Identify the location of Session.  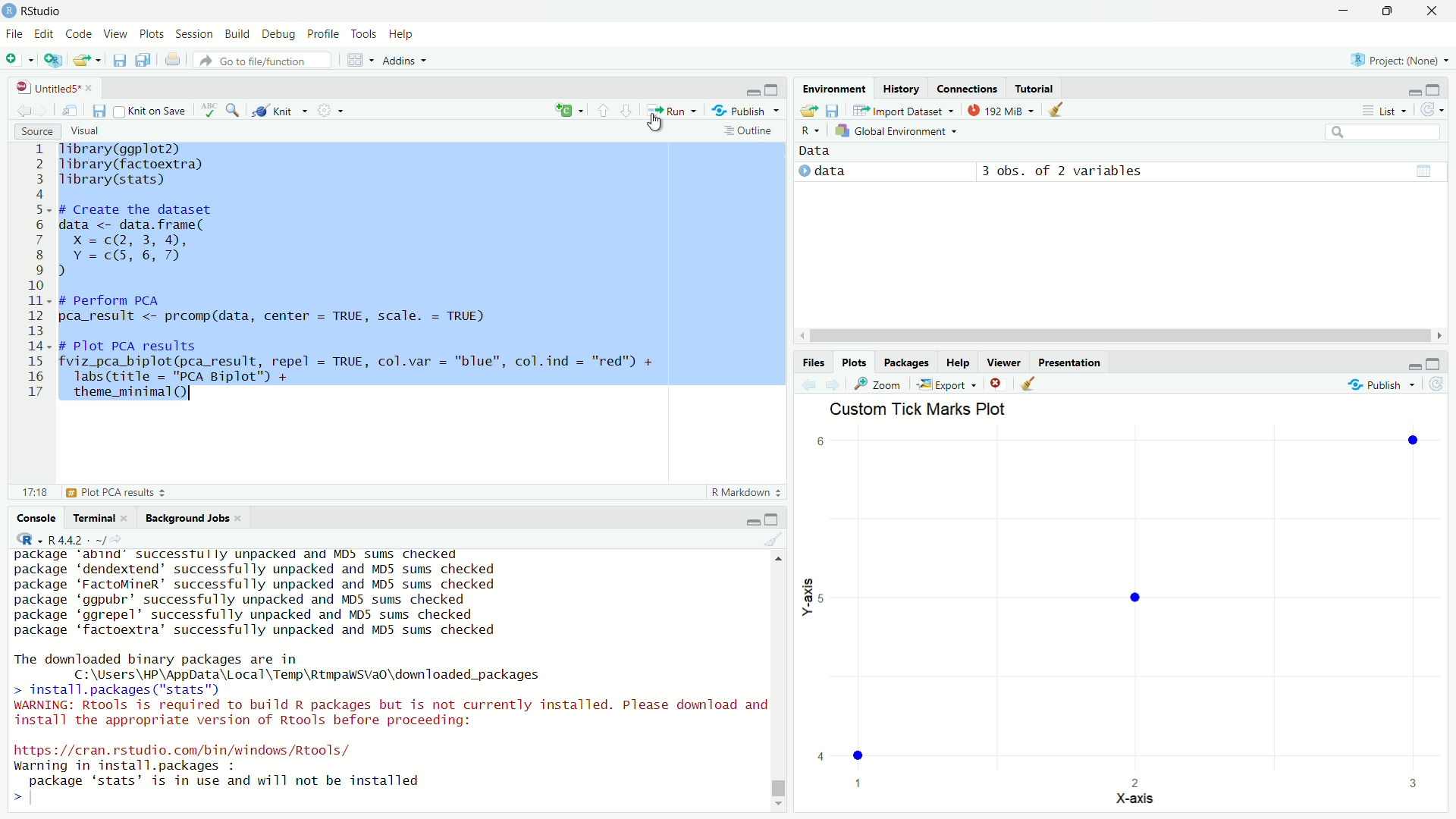
(196, 35).